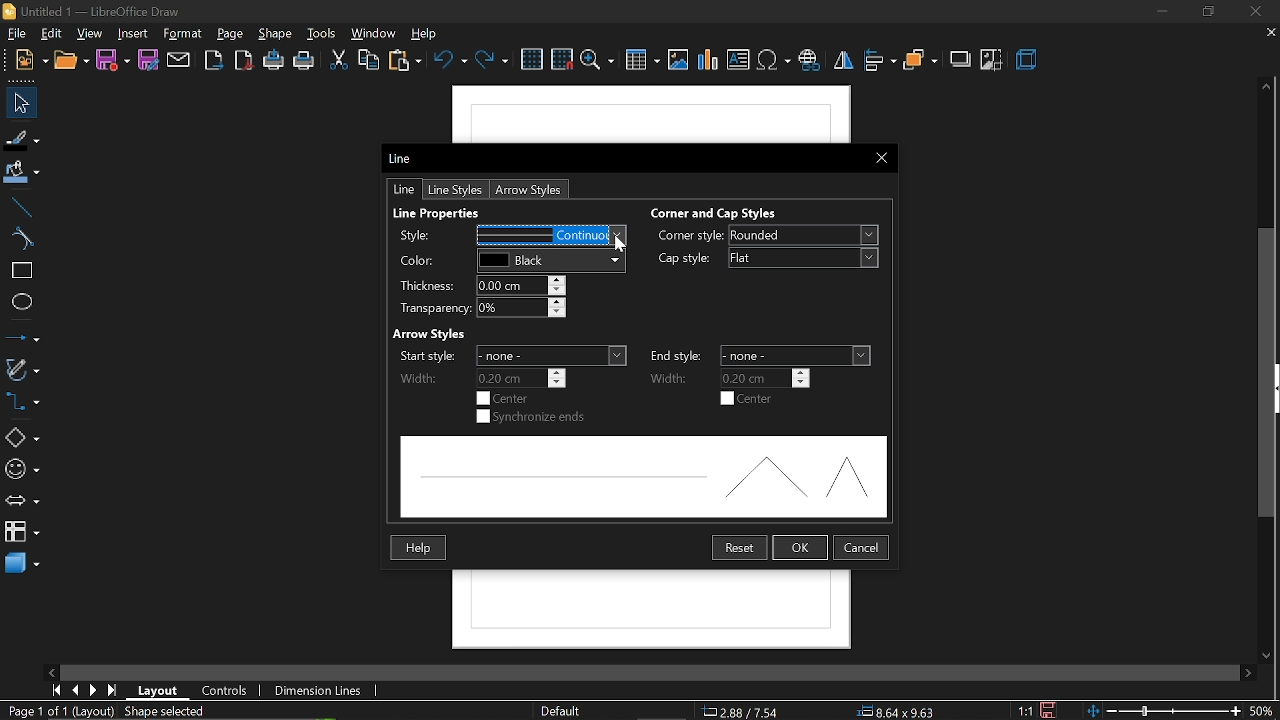  What do you see at coordinates (642, 60) in the screenshot?
I see `insert table` at bounding box center [642, 60].